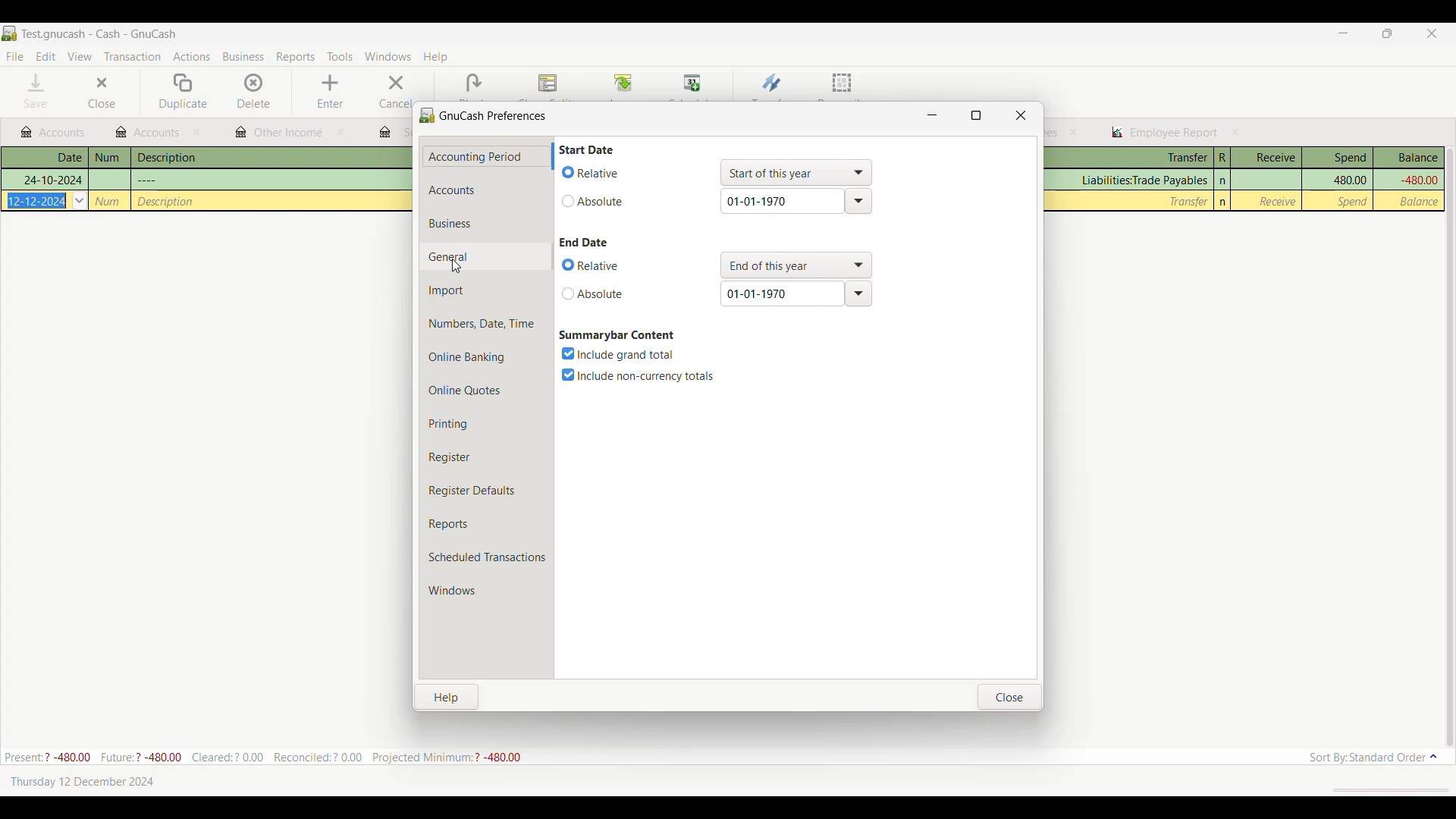 The height and width of the screenshot is (819, 1456). What do you see at coordinates (1142, 180) in the screenshot?
I see `Transfer column` at bounding box center [1142, 180].